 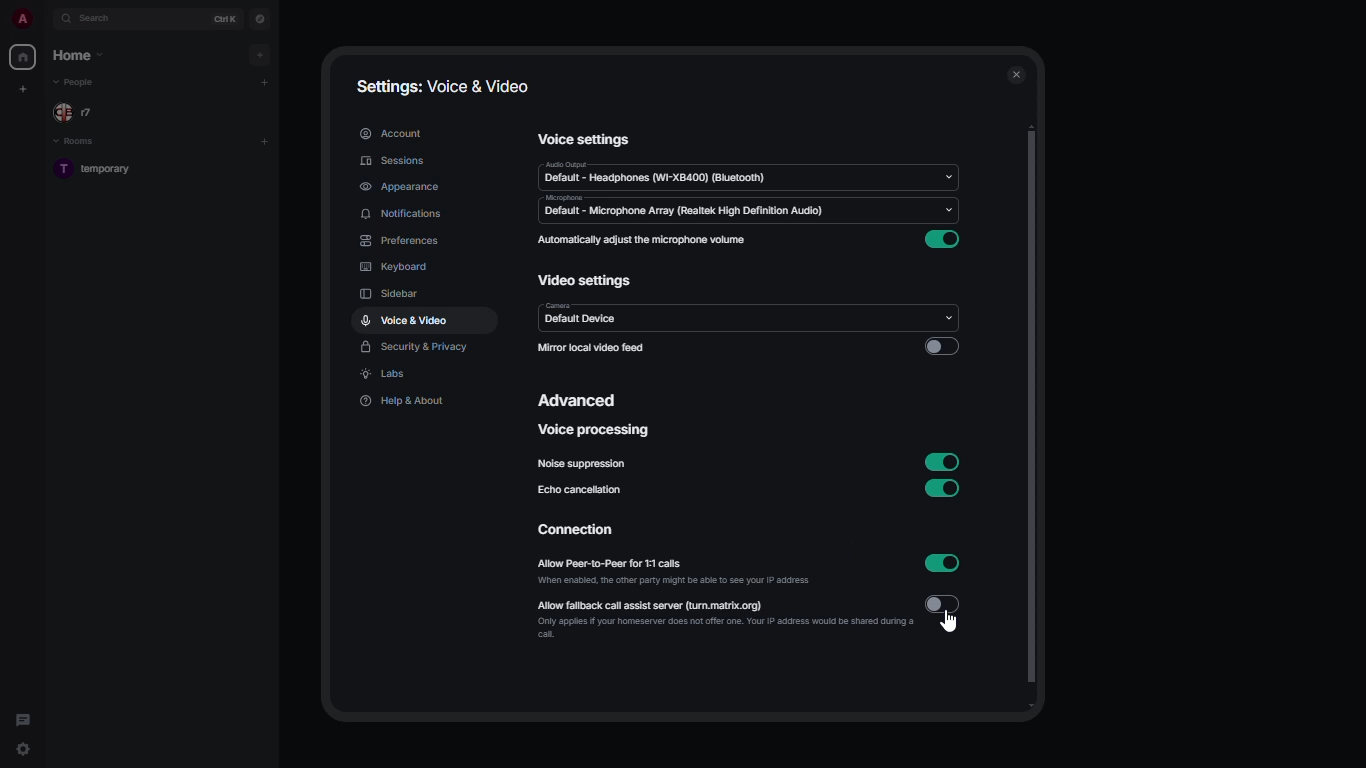 I want to click on ctrl K, so click(x=225, y=19).